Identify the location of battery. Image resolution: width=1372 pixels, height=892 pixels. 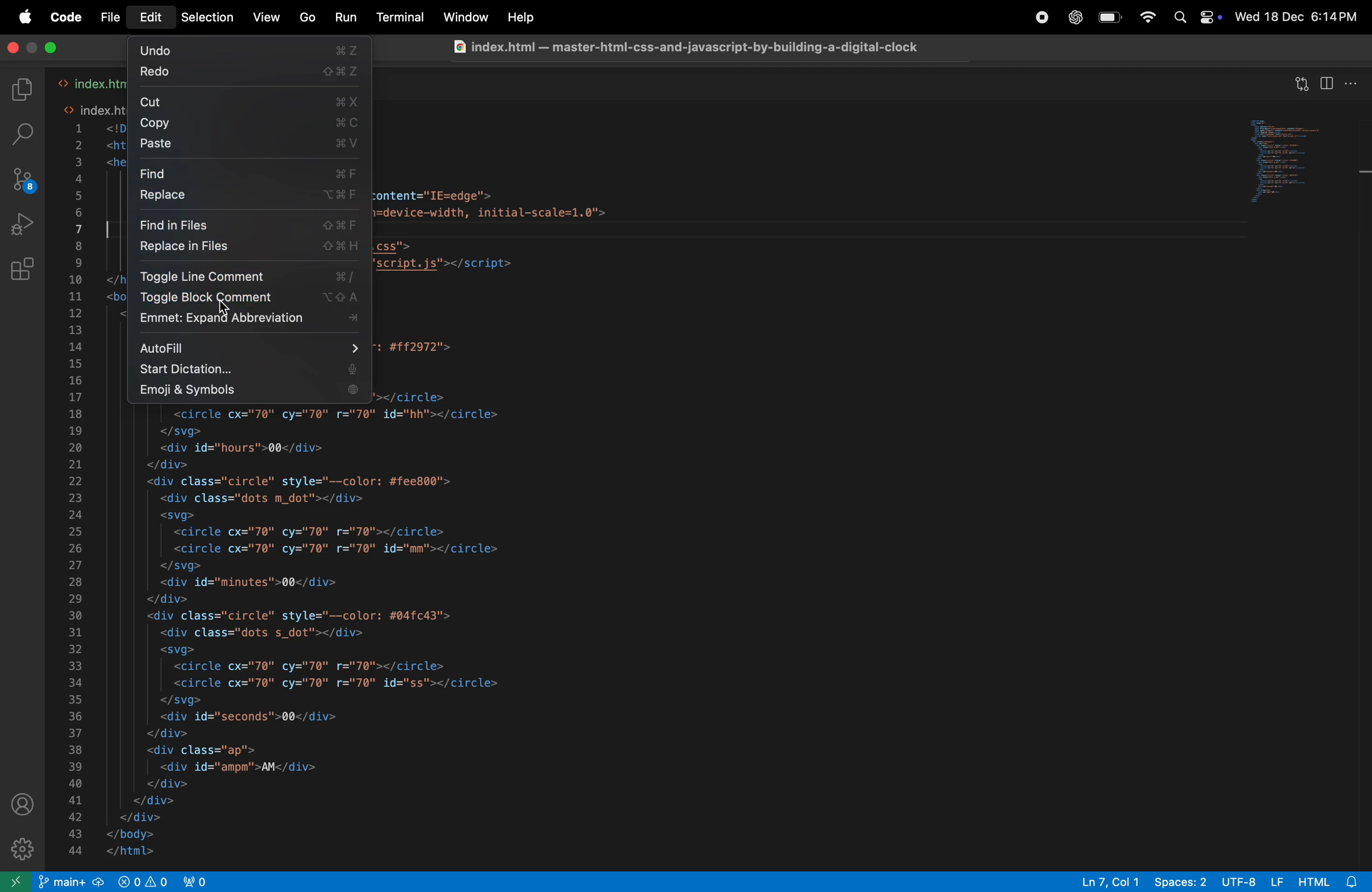
(1110, 18).